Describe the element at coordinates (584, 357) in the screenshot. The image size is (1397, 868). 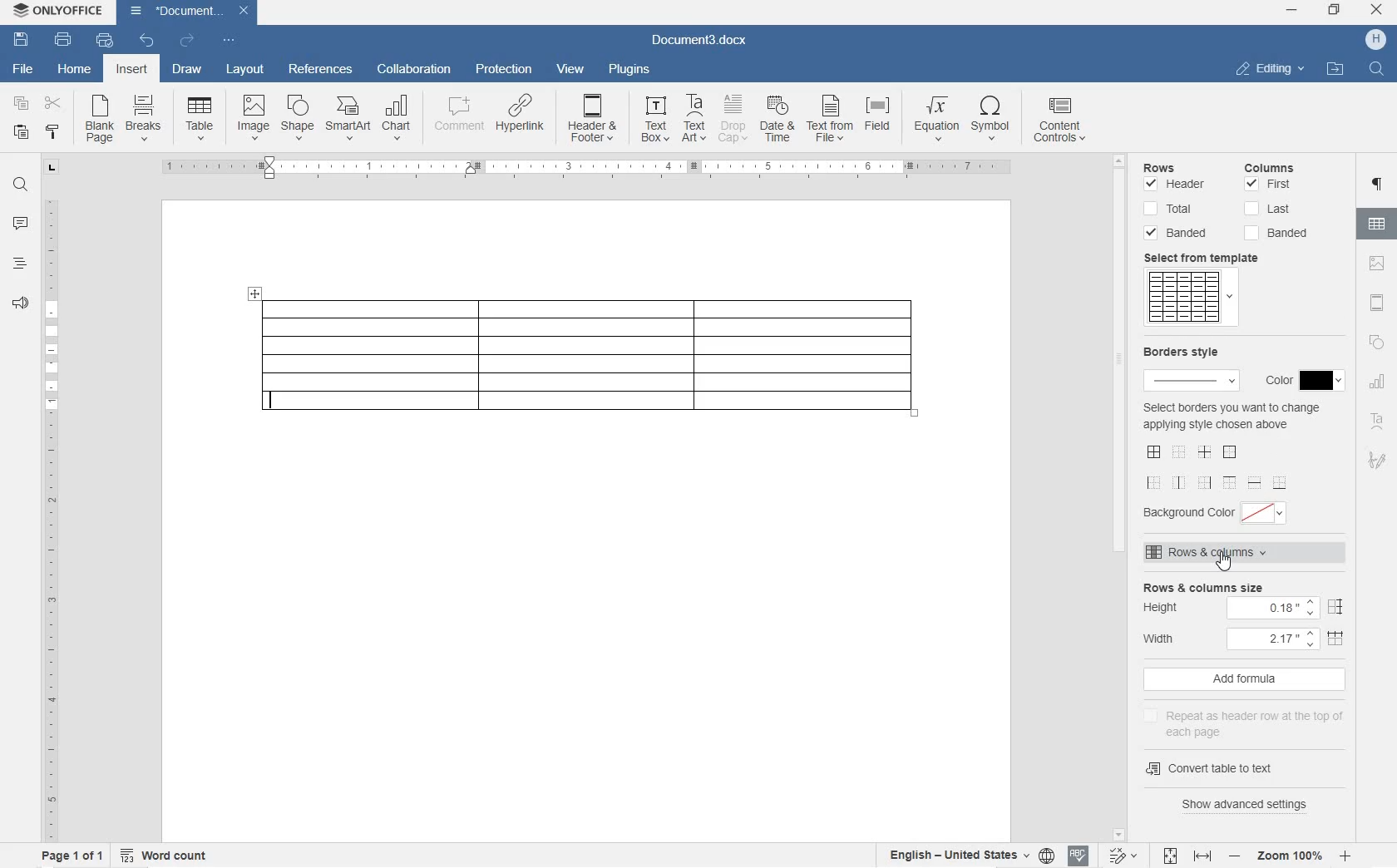
I see `TABLE` at that location.